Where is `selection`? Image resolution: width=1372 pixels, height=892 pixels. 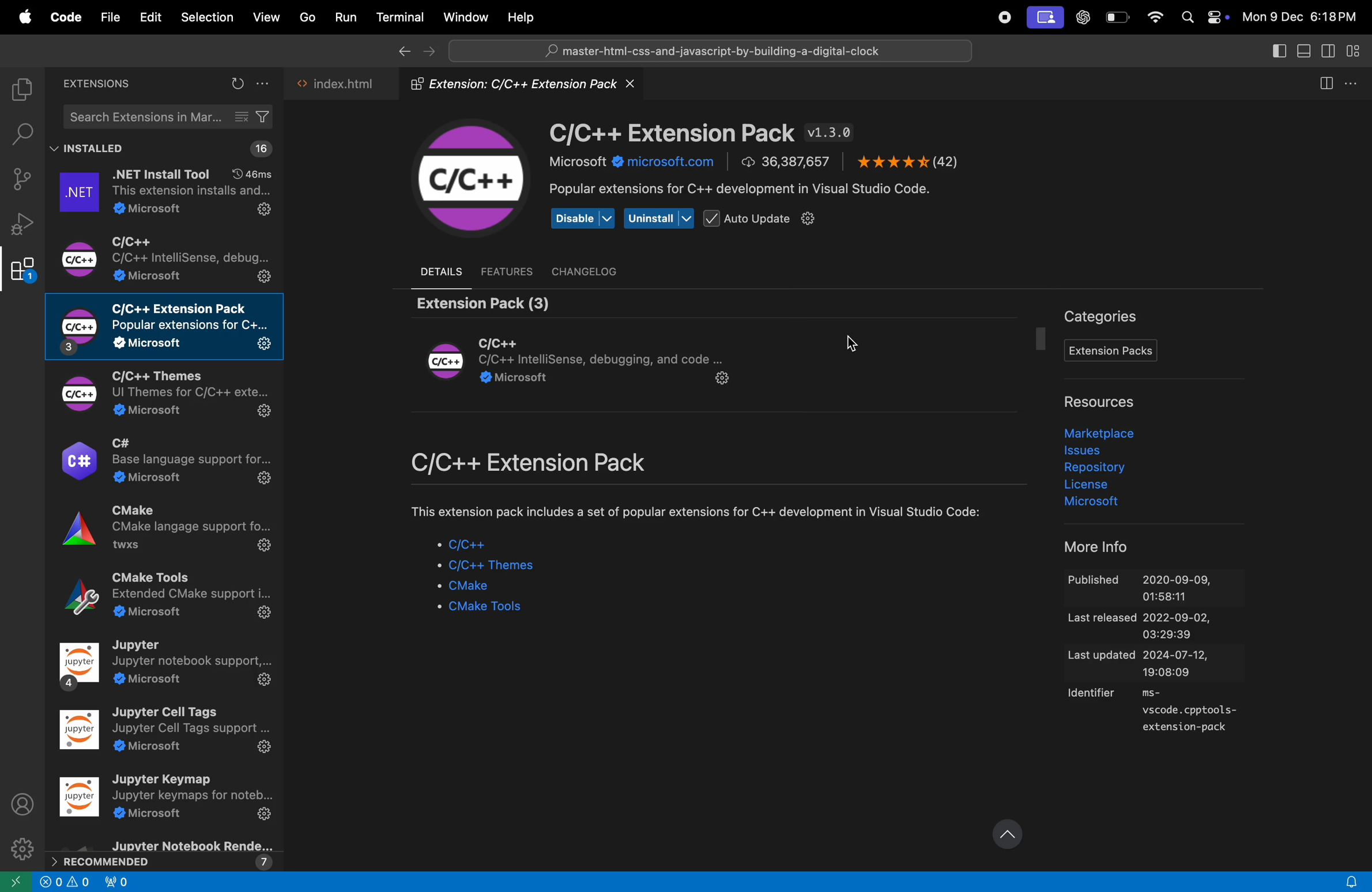
selection is located at coordinates (206, 18).